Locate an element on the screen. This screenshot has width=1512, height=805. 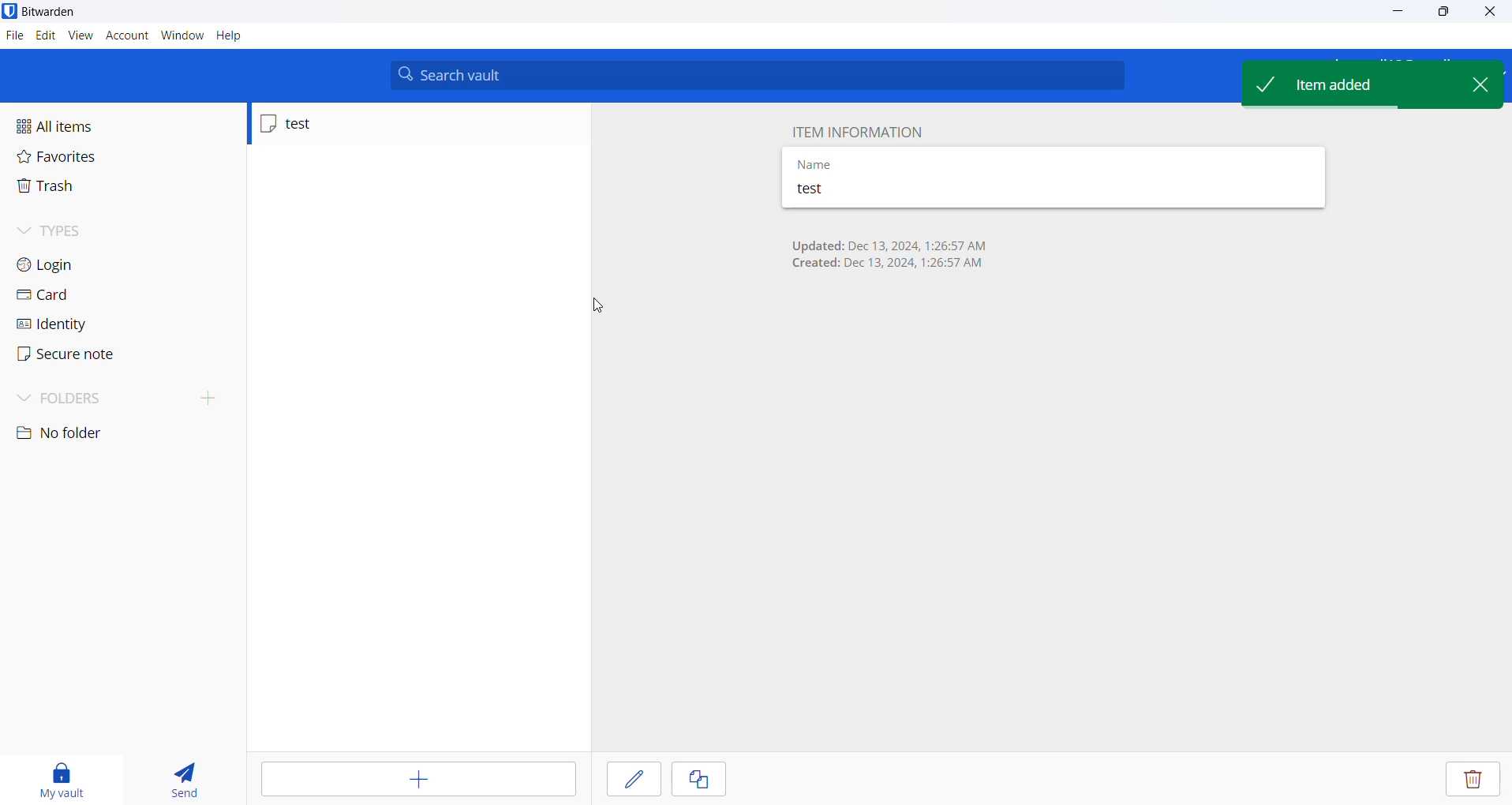
identity is located at coordinates (85, 324).